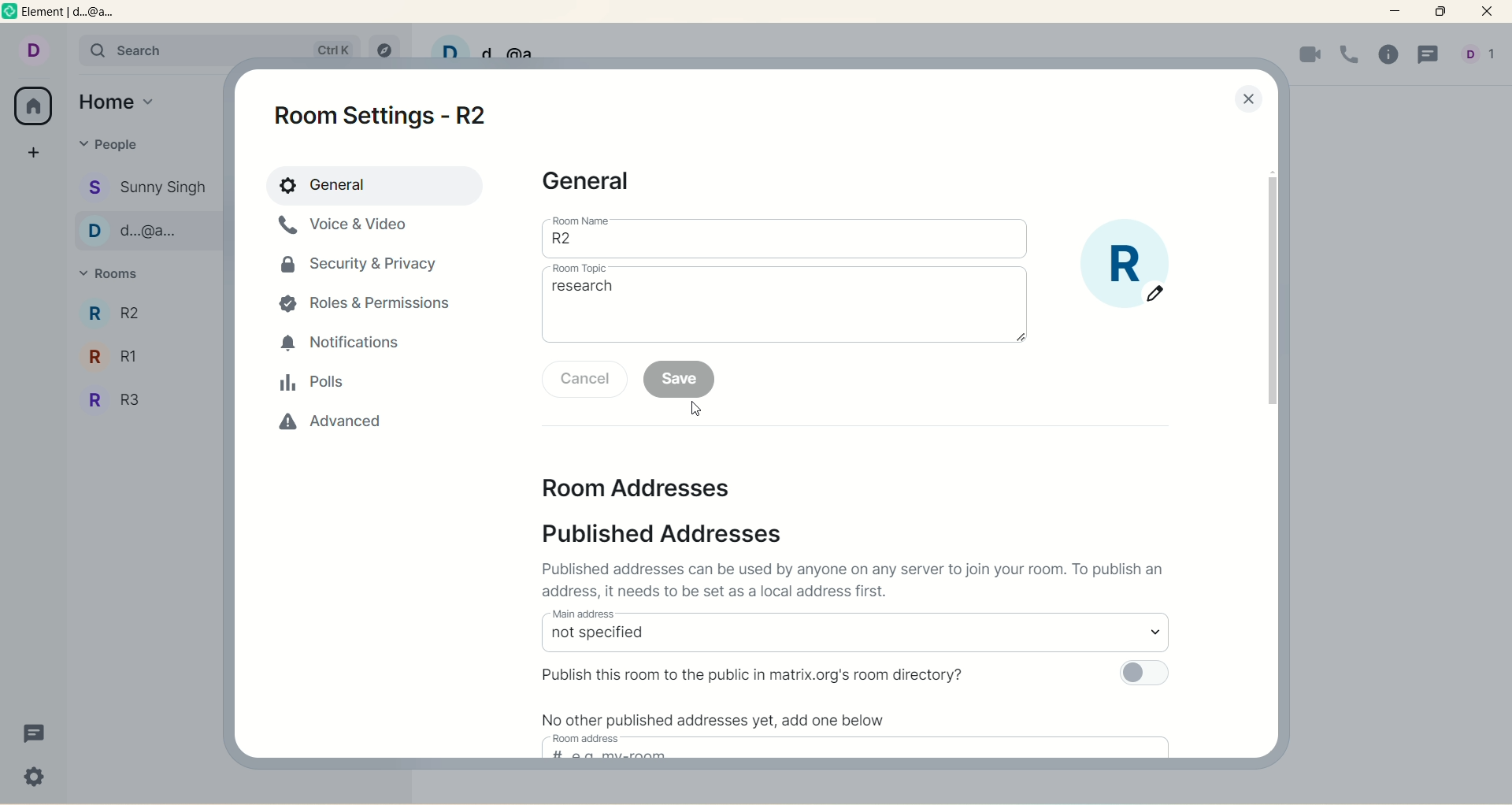 The width and height of the screenshot is (1512, 805). I want to click on R2, so click(142, 402).